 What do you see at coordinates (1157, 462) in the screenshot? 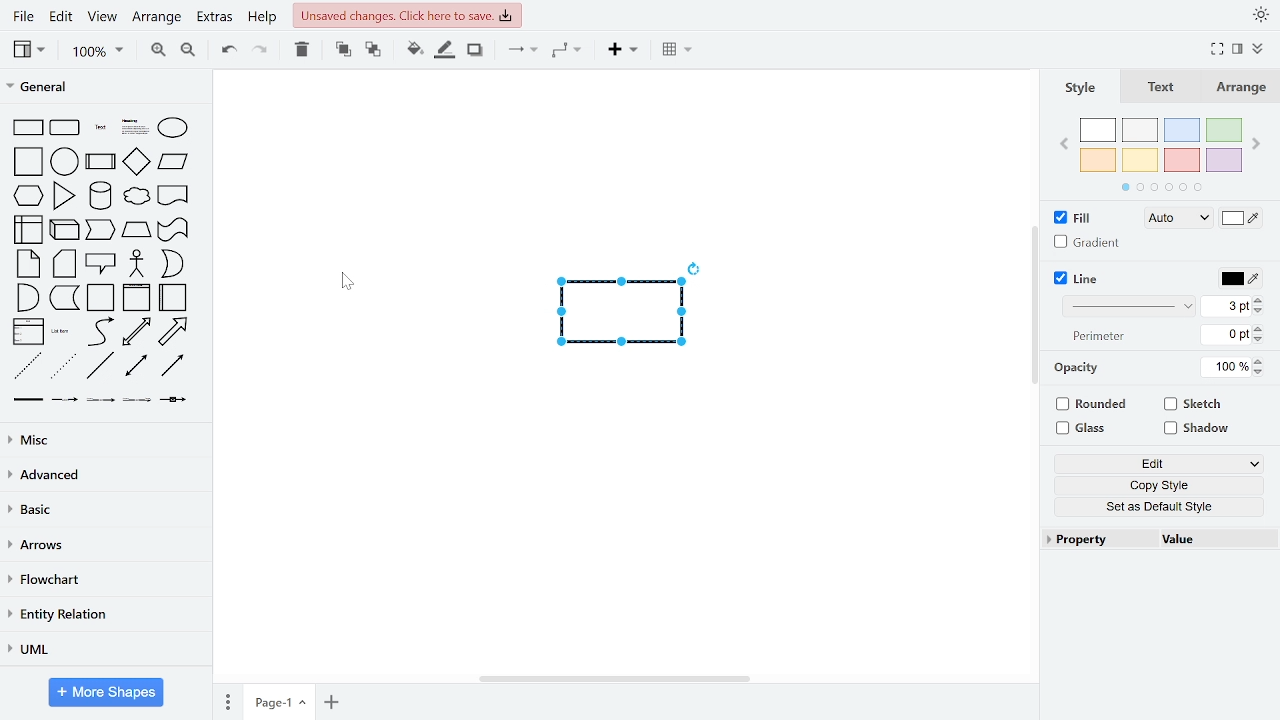
I see `edit` at bounding box center [1157, 462].